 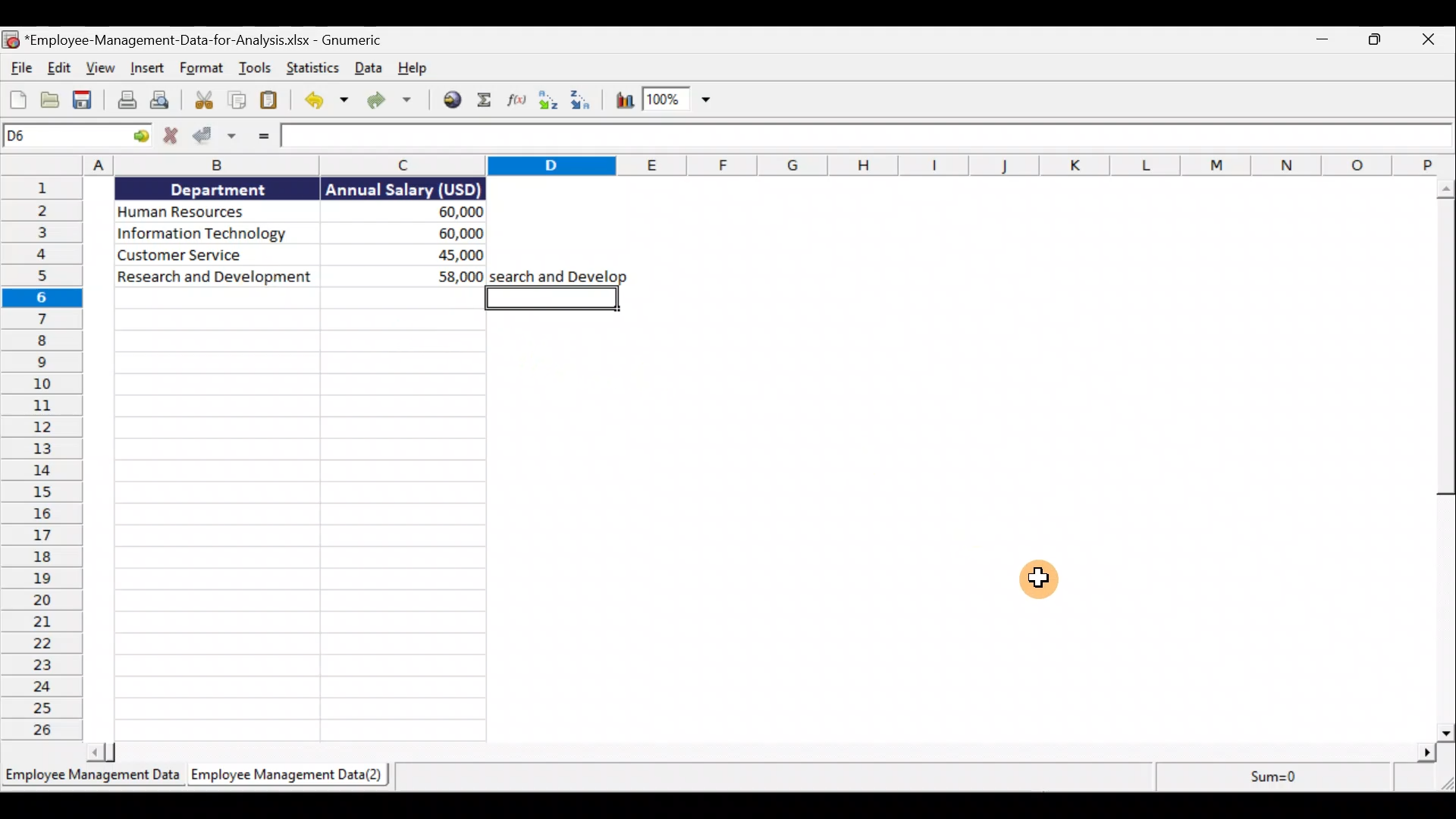 What do you see at coordinates (686, 102) in the screenshot?
I see `Zoom` at bounding box center [686, 102].